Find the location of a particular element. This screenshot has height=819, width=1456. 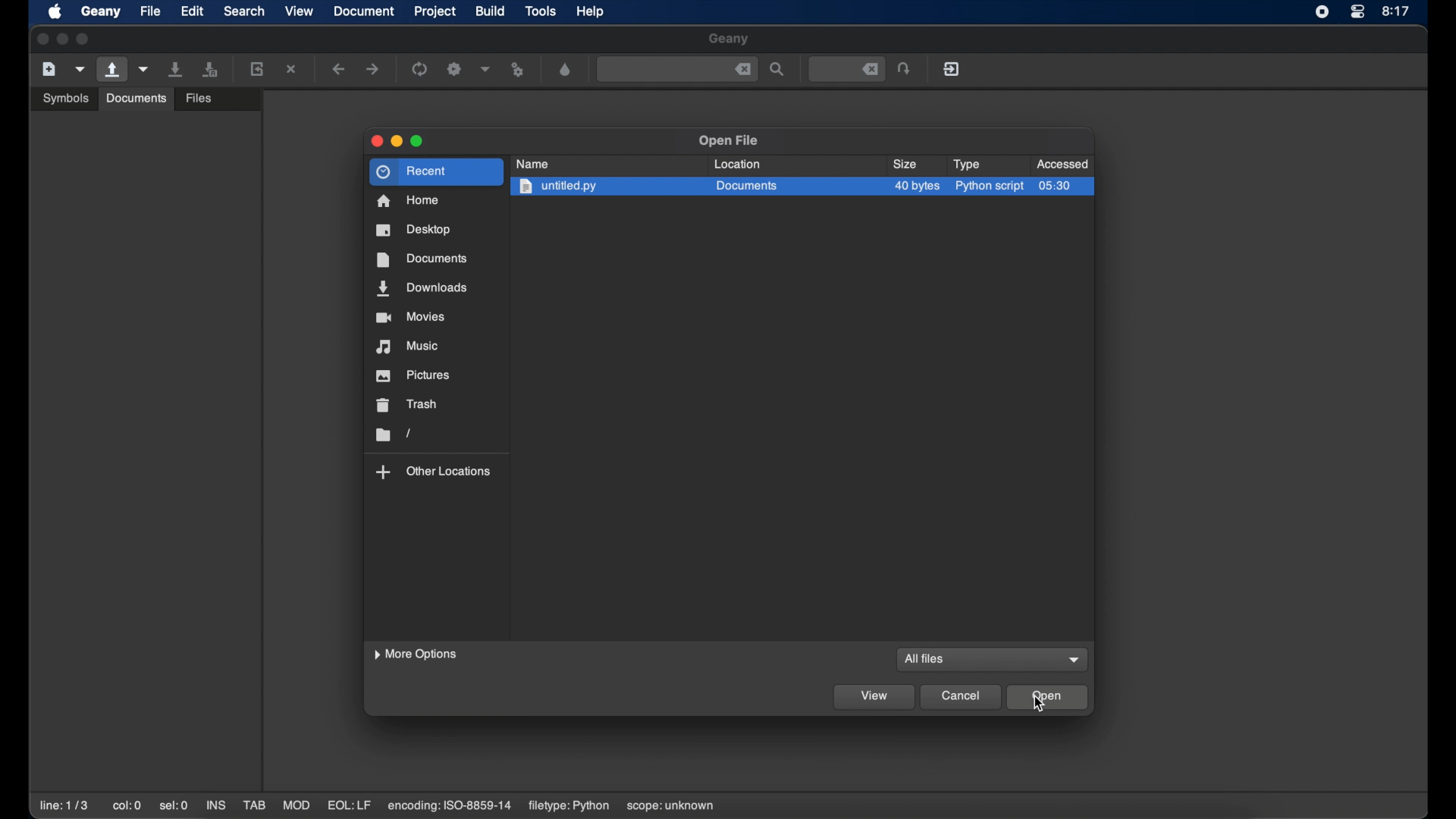

find the entered text in current file is located at coordinates (677, 70).